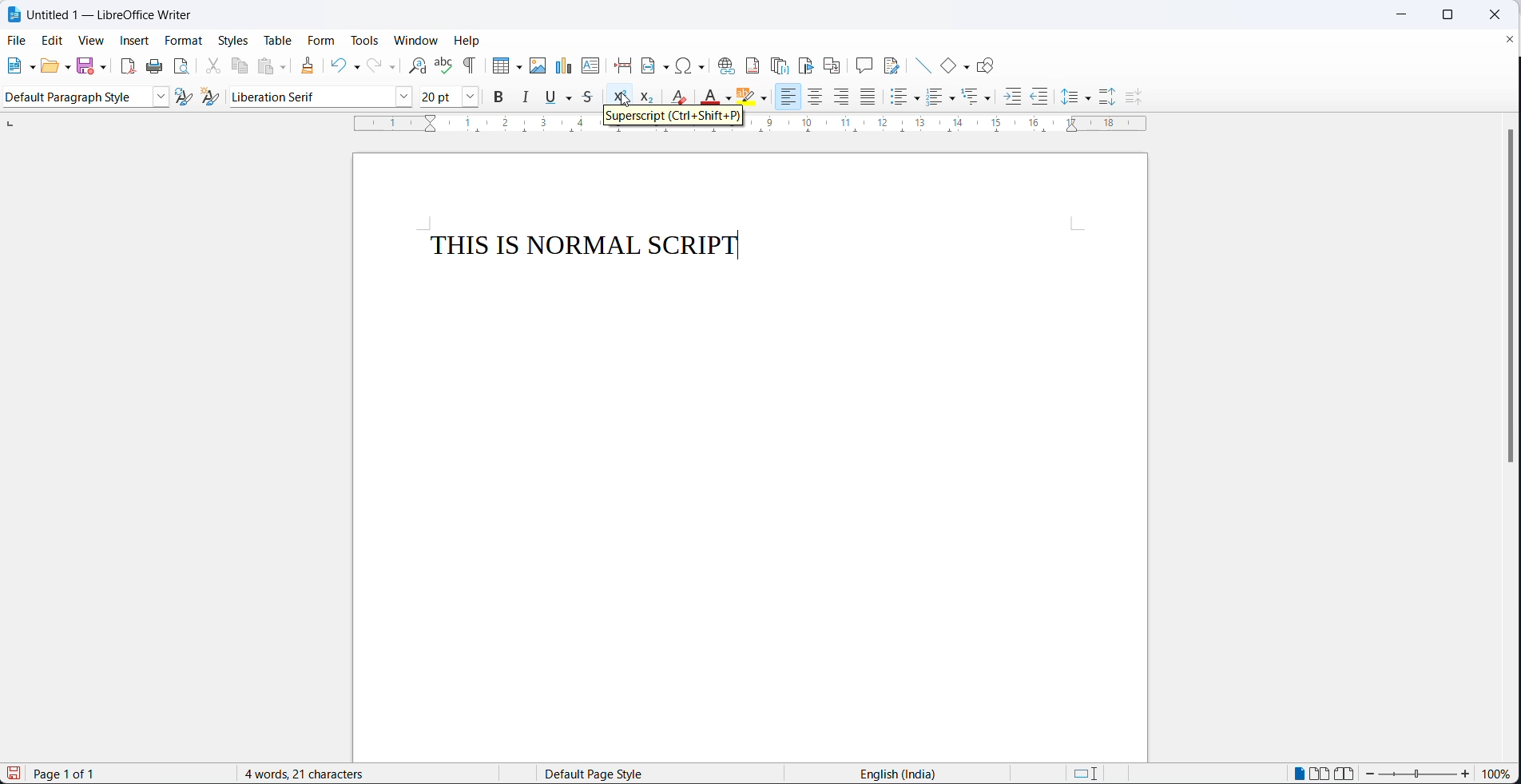 The image size is (1521, 784). What do you see at coordinates (188, 97) in the screenshot?
I see `update selected style` at bounding box center [188, 97].